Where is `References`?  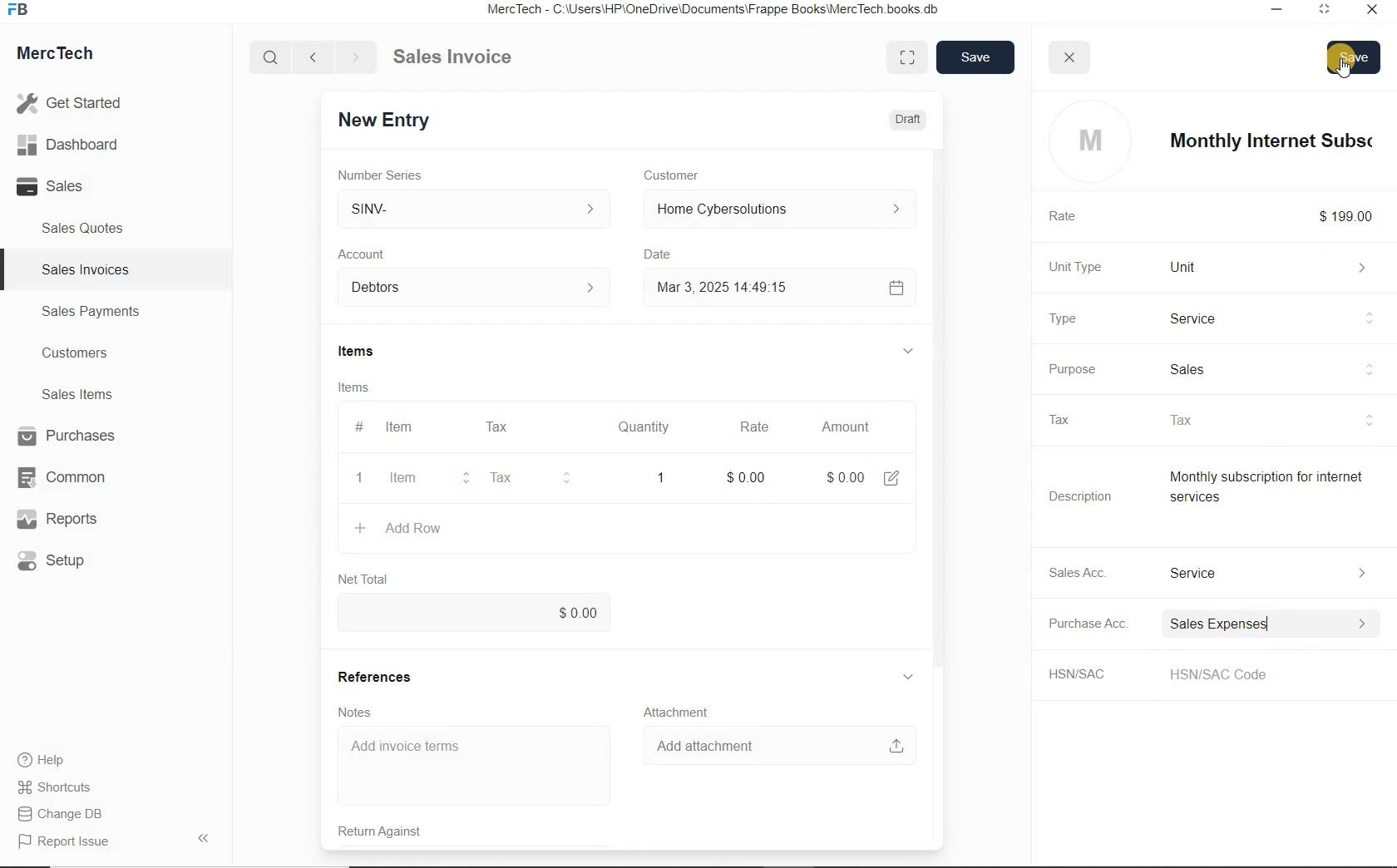 References is located at coordinates (378, 675).